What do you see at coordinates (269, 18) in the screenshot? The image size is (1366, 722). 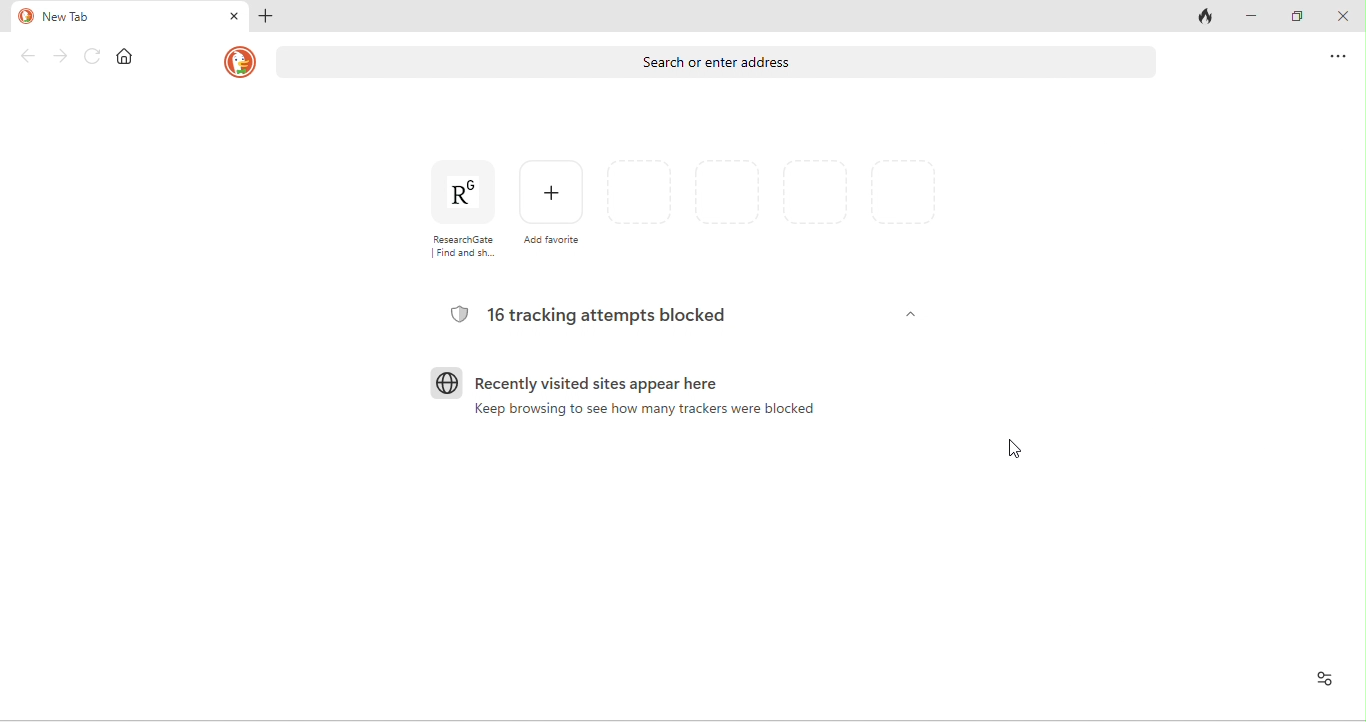 I see `add tab` at bounding box center [269, 18].